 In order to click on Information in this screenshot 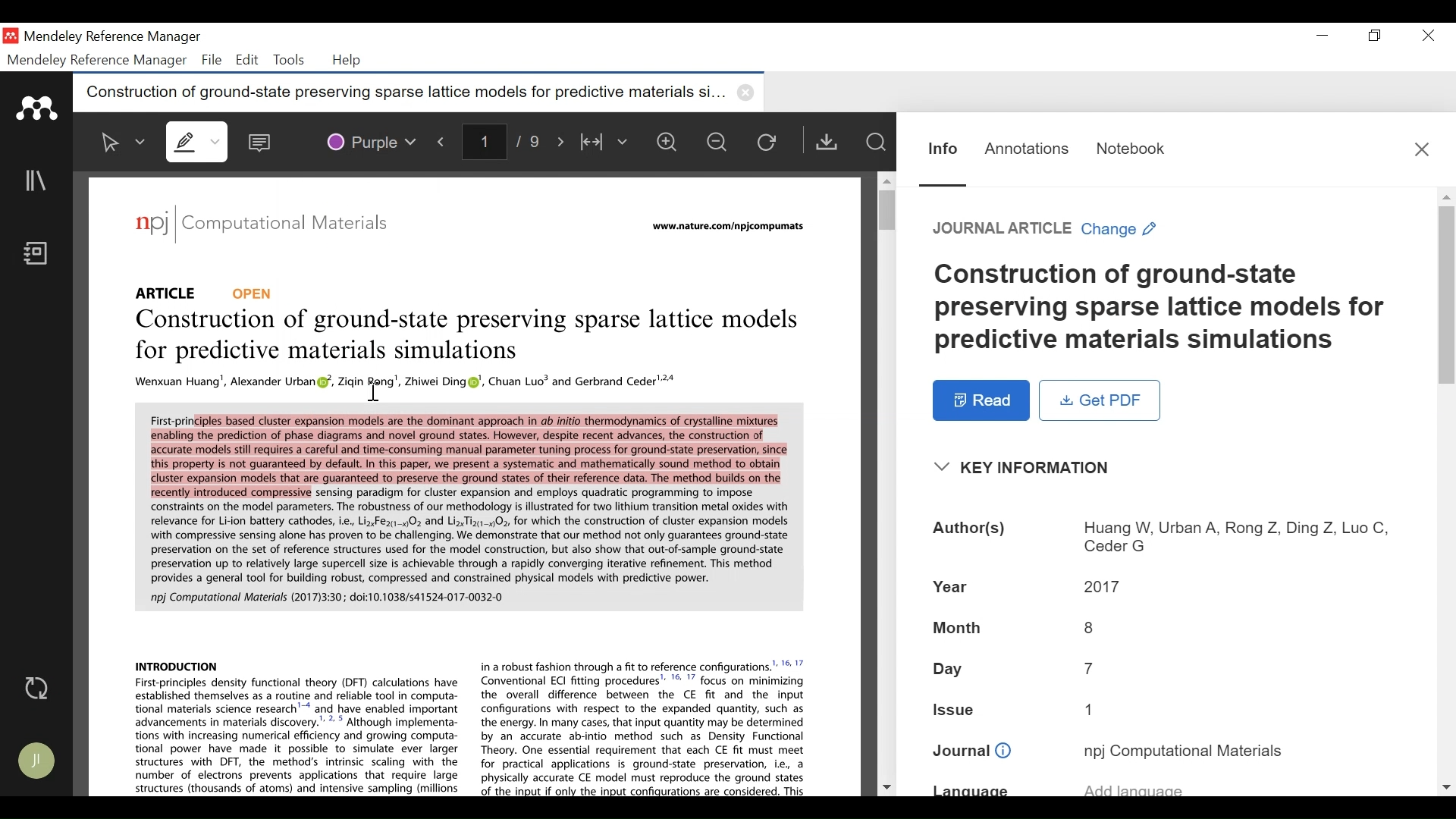, I will do `click(945, 158)`.